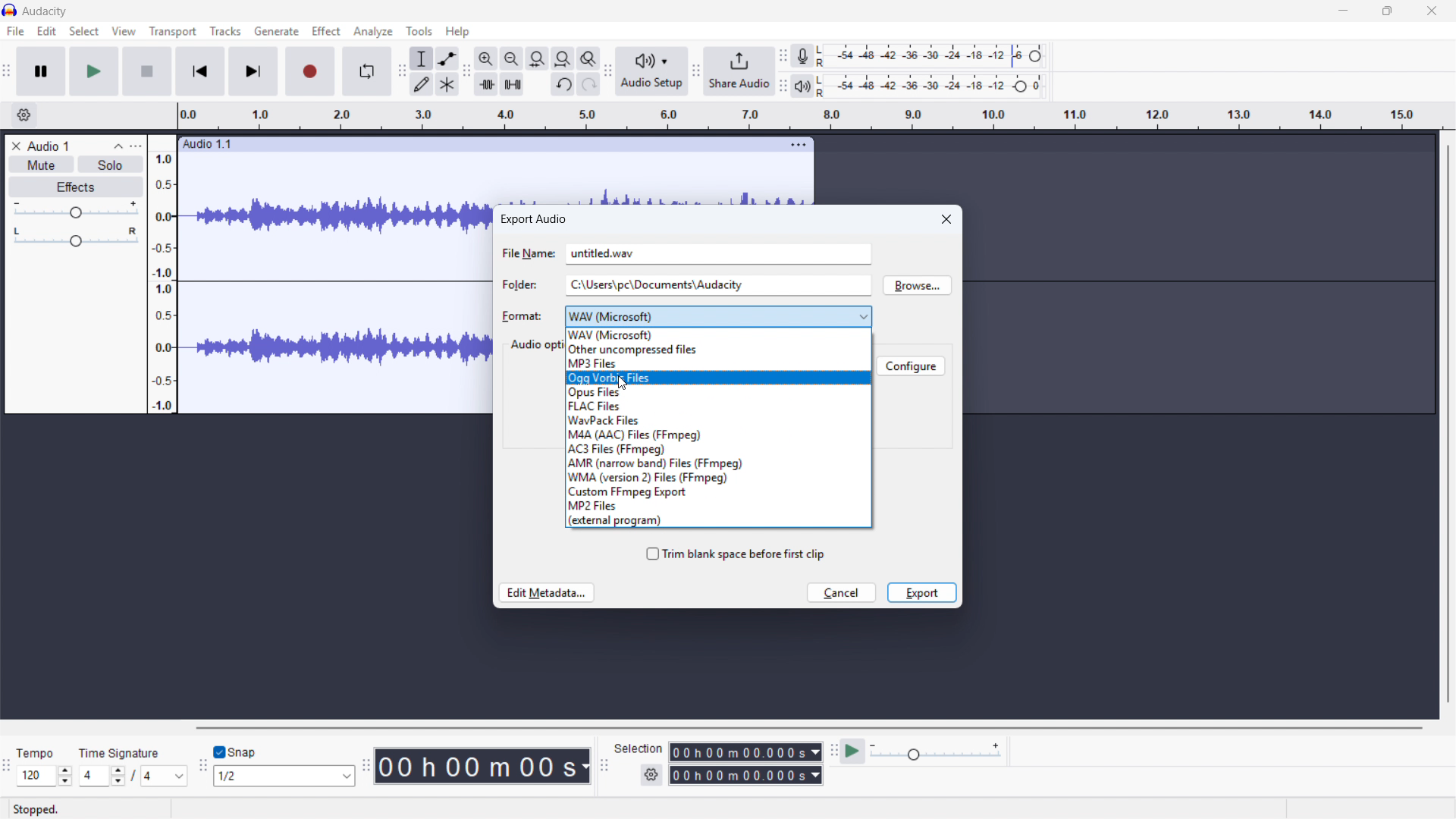 Image resolution: width=1456 pixels, height=819 pixels. Describe the element at coordinates (719, 362) in the screenshot. I see `MP3 files ` at that location.